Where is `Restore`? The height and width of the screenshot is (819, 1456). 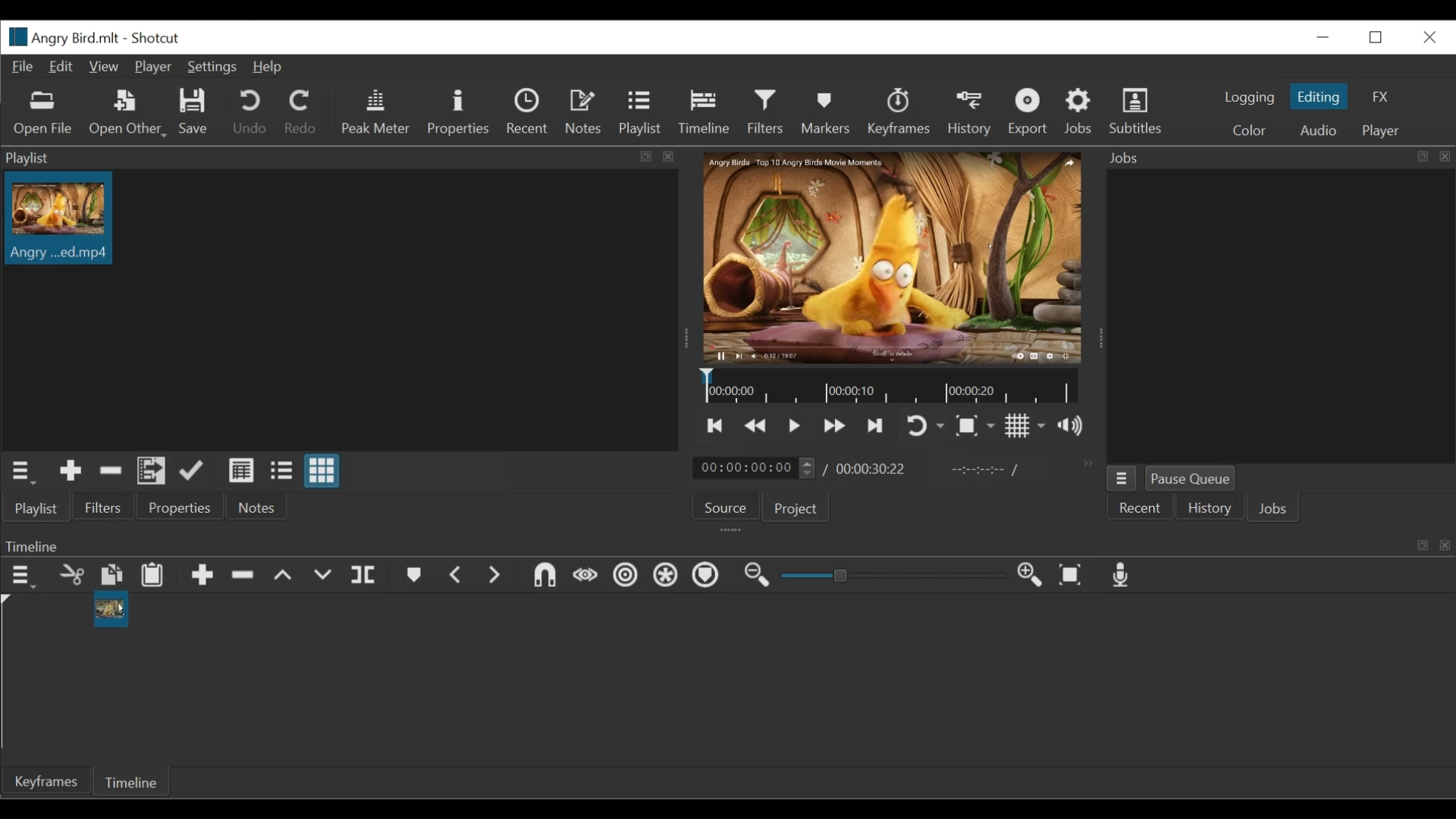
Restore is located at coordinates (1379, 37).